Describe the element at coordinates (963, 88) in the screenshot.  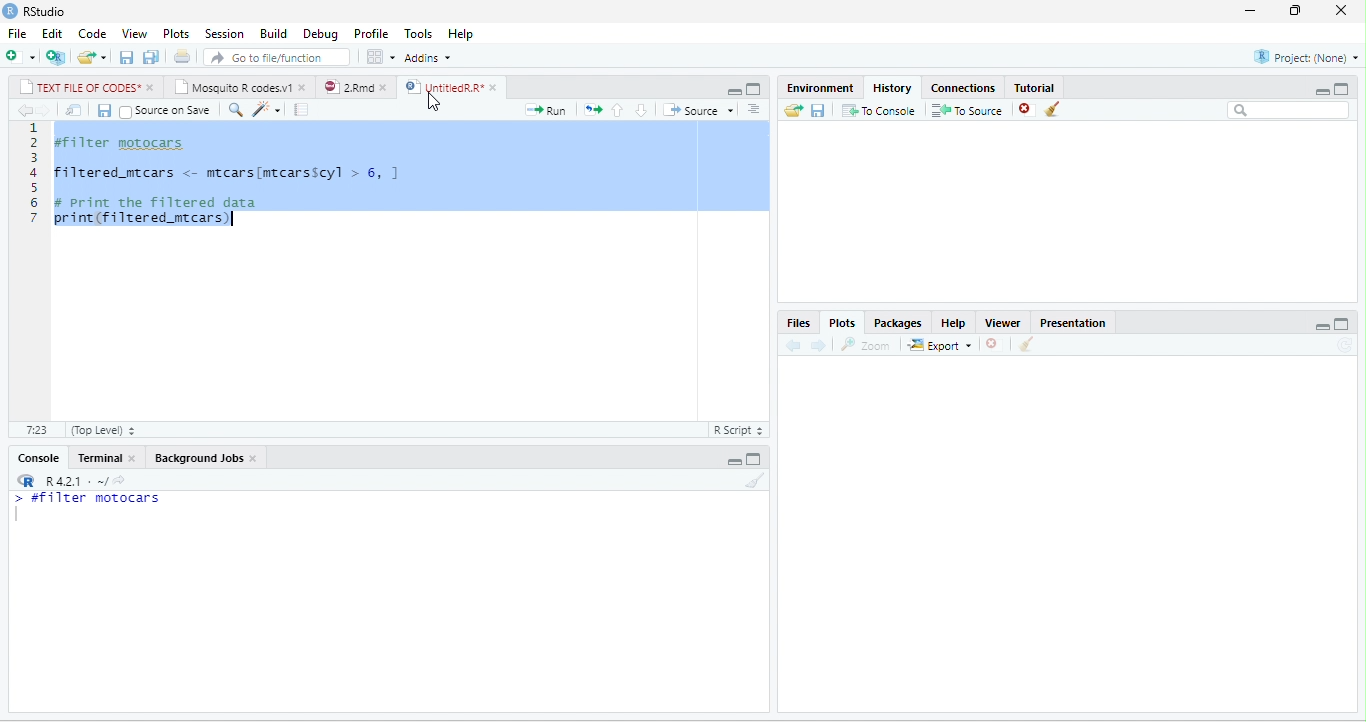
I see `Connections` at that location.